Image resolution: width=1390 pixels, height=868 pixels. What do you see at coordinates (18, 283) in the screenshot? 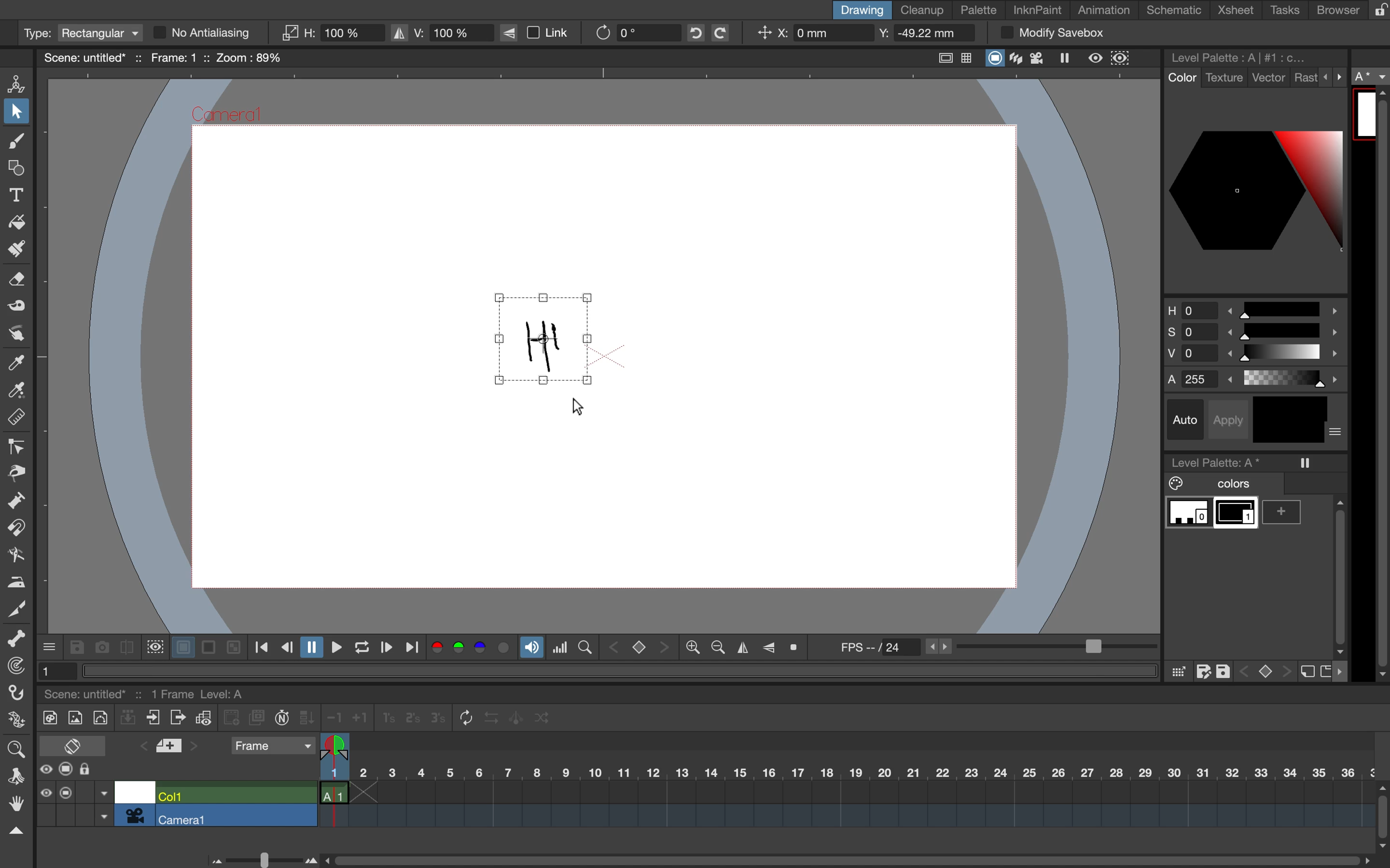
I see `eraser tool` at bounding box center [18, 283].